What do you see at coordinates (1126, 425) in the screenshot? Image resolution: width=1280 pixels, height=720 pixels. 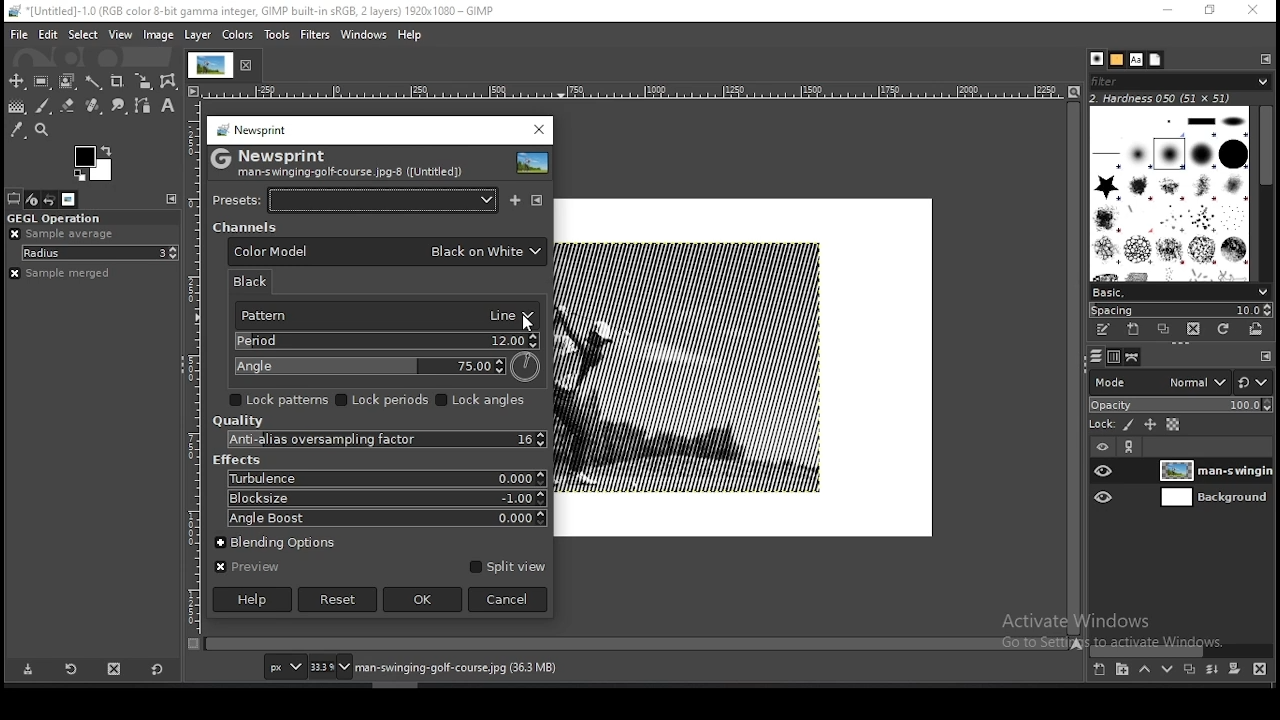 I see `lock pixels` at bounding box center [1126, 425].